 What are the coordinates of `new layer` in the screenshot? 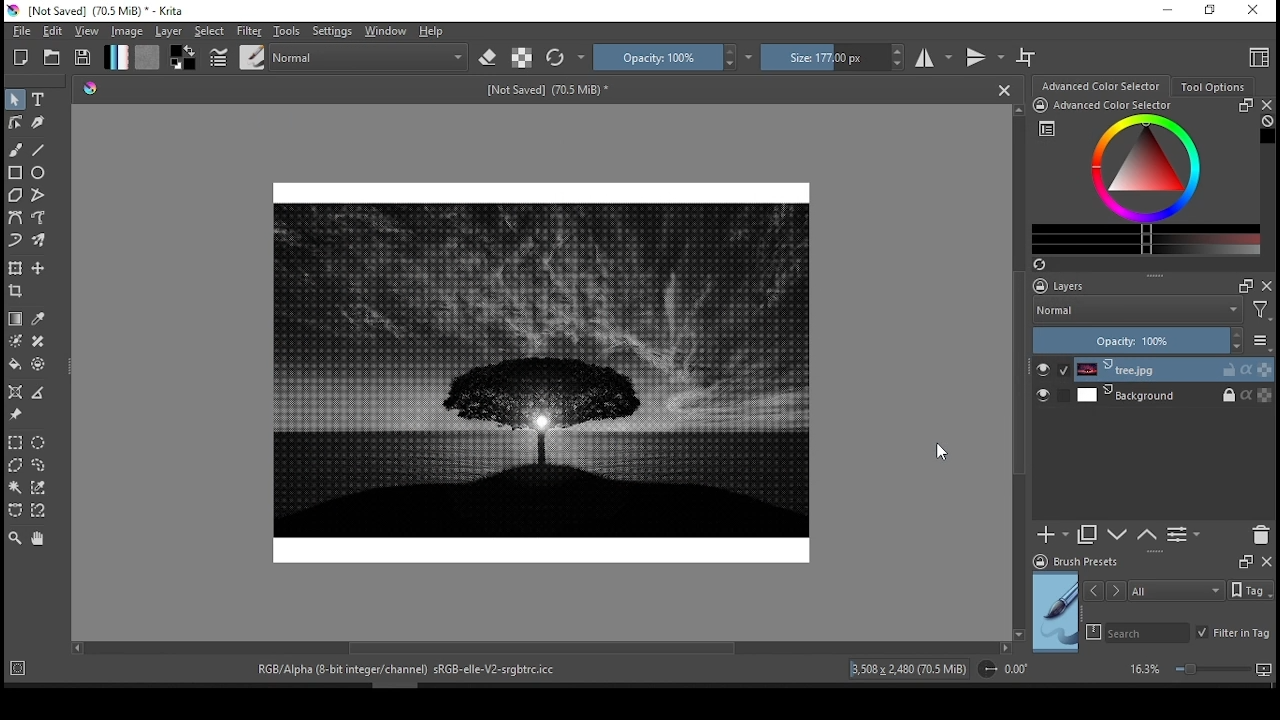 It's located at (1052, 536).